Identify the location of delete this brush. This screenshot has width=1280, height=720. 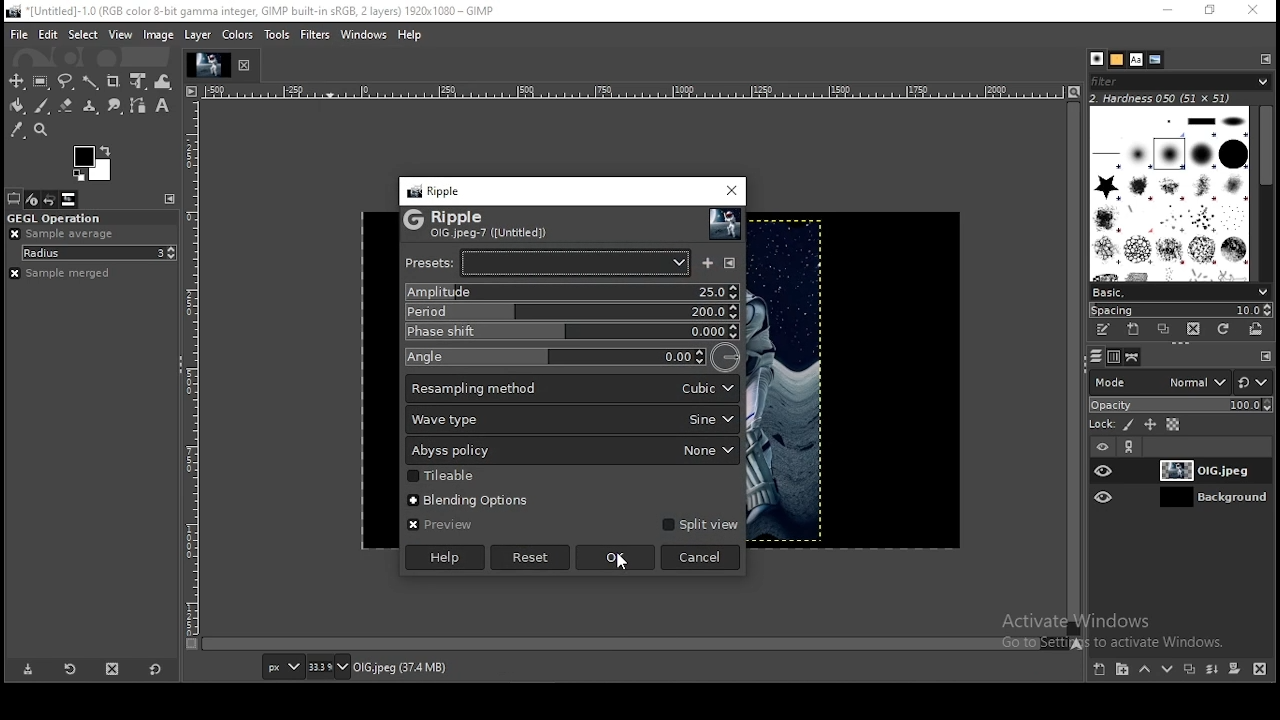
(1193, 329).